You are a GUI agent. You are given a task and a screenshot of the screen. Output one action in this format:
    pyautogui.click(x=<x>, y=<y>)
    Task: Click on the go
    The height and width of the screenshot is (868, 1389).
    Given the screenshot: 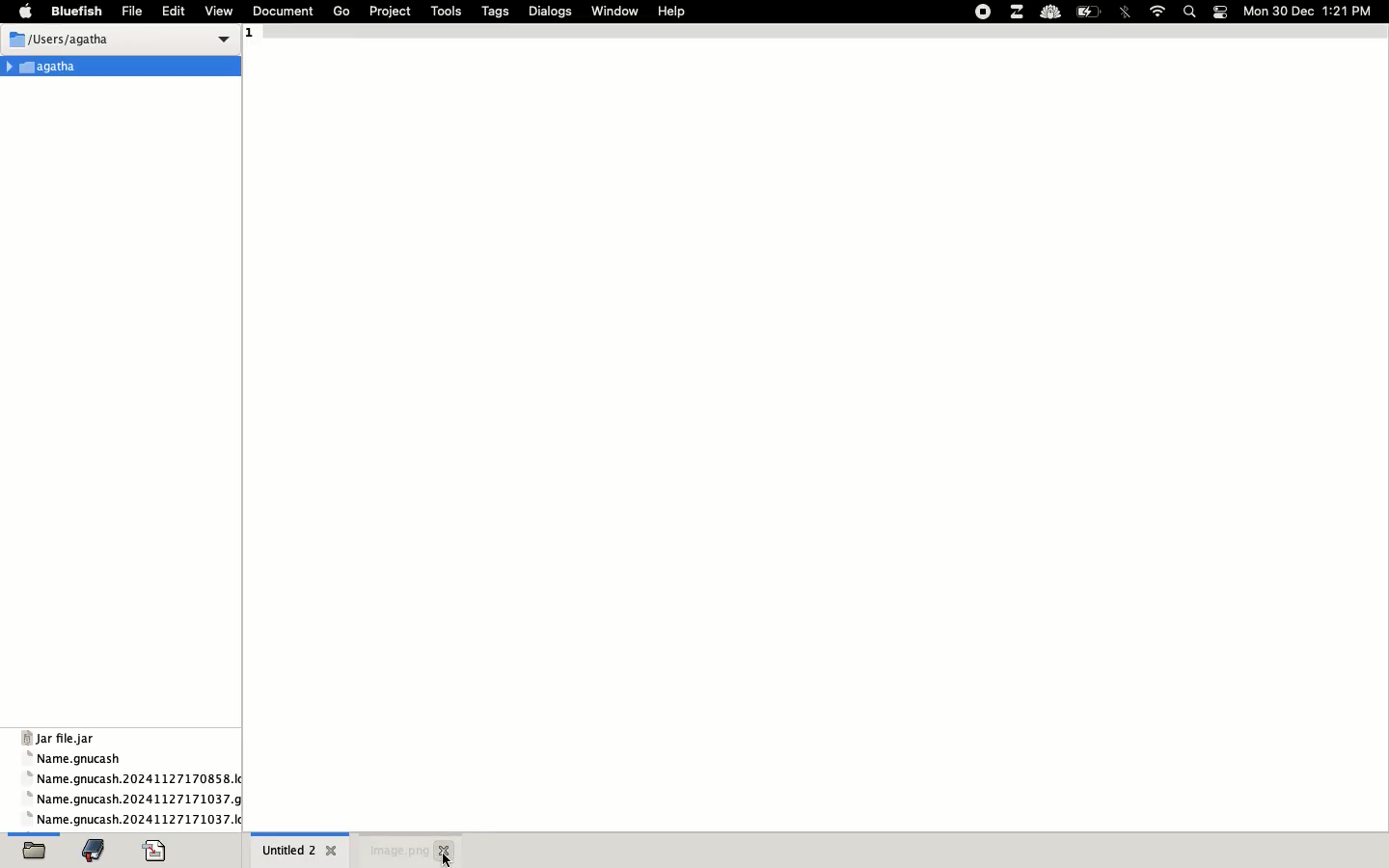 What is the action you would take?
    pyautogui.click(x=342, y=13)
    